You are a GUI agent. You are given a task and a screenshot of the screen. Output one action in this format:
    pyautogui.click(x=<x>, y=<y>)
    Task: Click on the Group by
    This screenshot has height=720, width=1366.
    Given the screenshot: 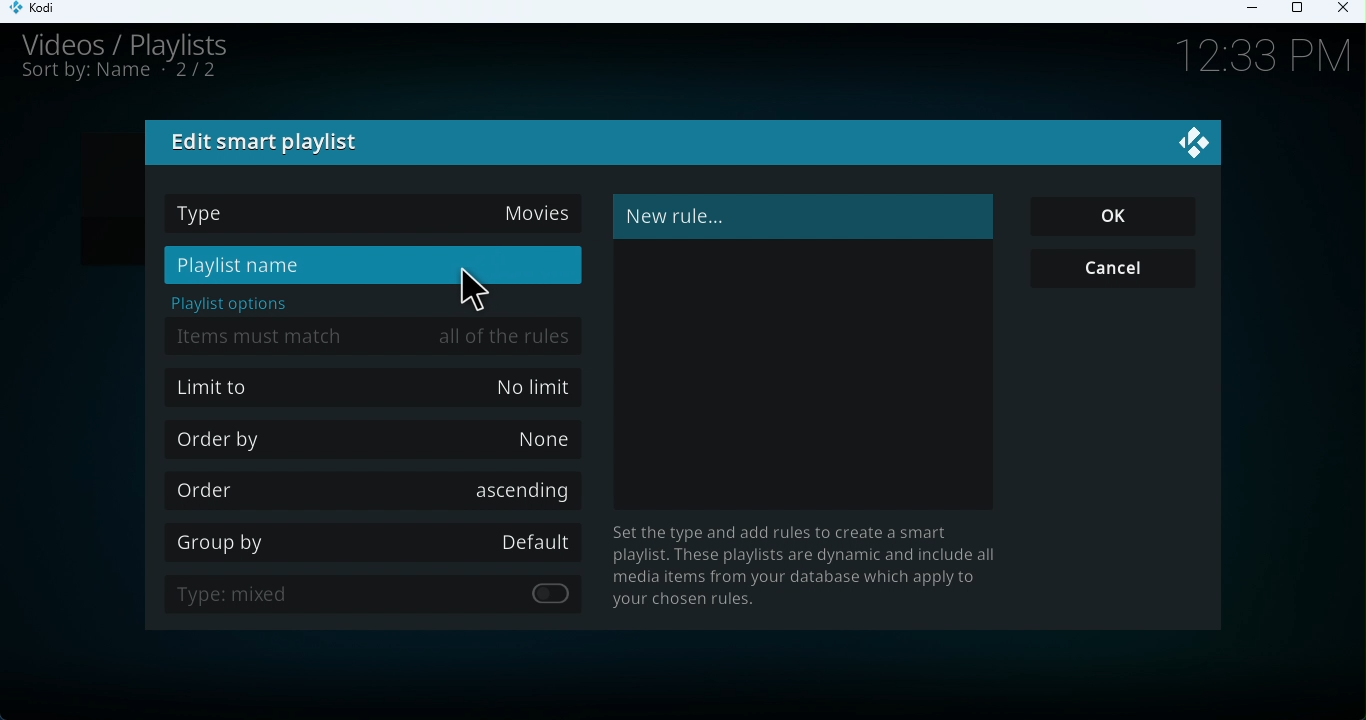 What is the action you would take?
    pyautogui.click(x=378, y=539)
    